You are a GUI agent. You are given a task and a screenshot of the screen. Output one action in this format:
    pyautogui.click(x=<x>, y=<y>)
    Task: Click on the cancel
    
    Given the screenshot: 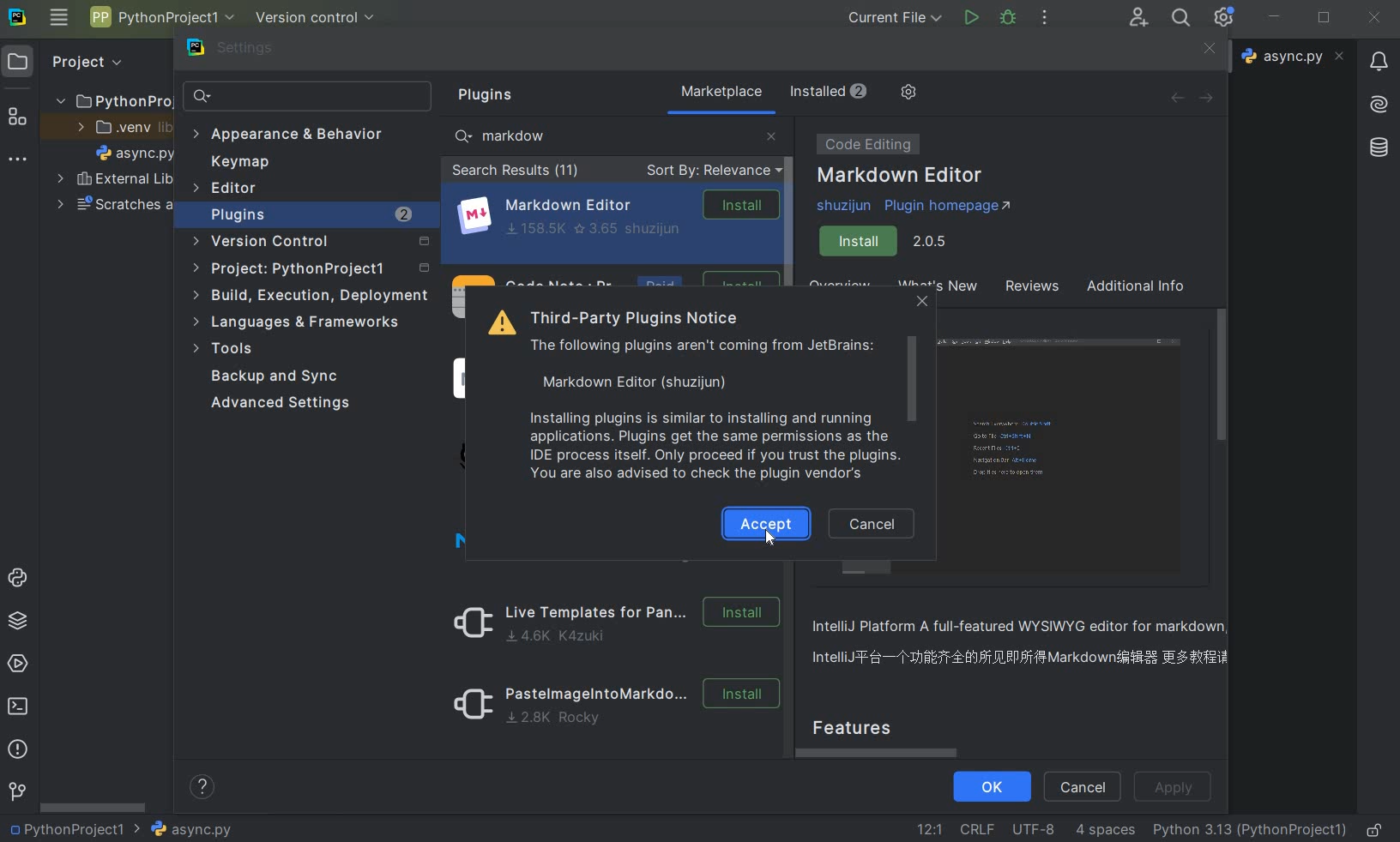 What is the action you would take?
    pyautogui.click(x=1082, y=788)
    